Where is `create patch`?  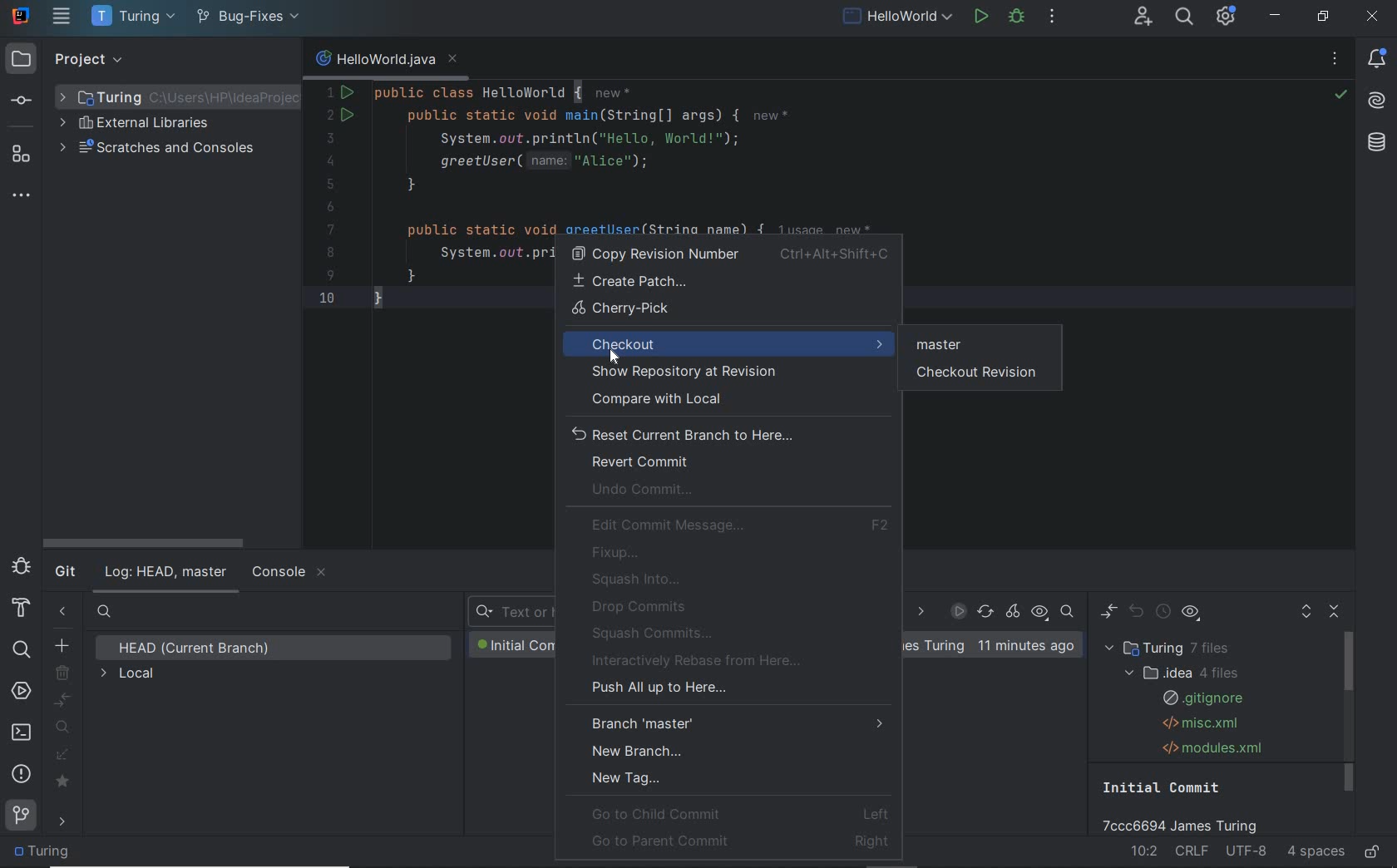 create patch is located at coordinates (727, 282).